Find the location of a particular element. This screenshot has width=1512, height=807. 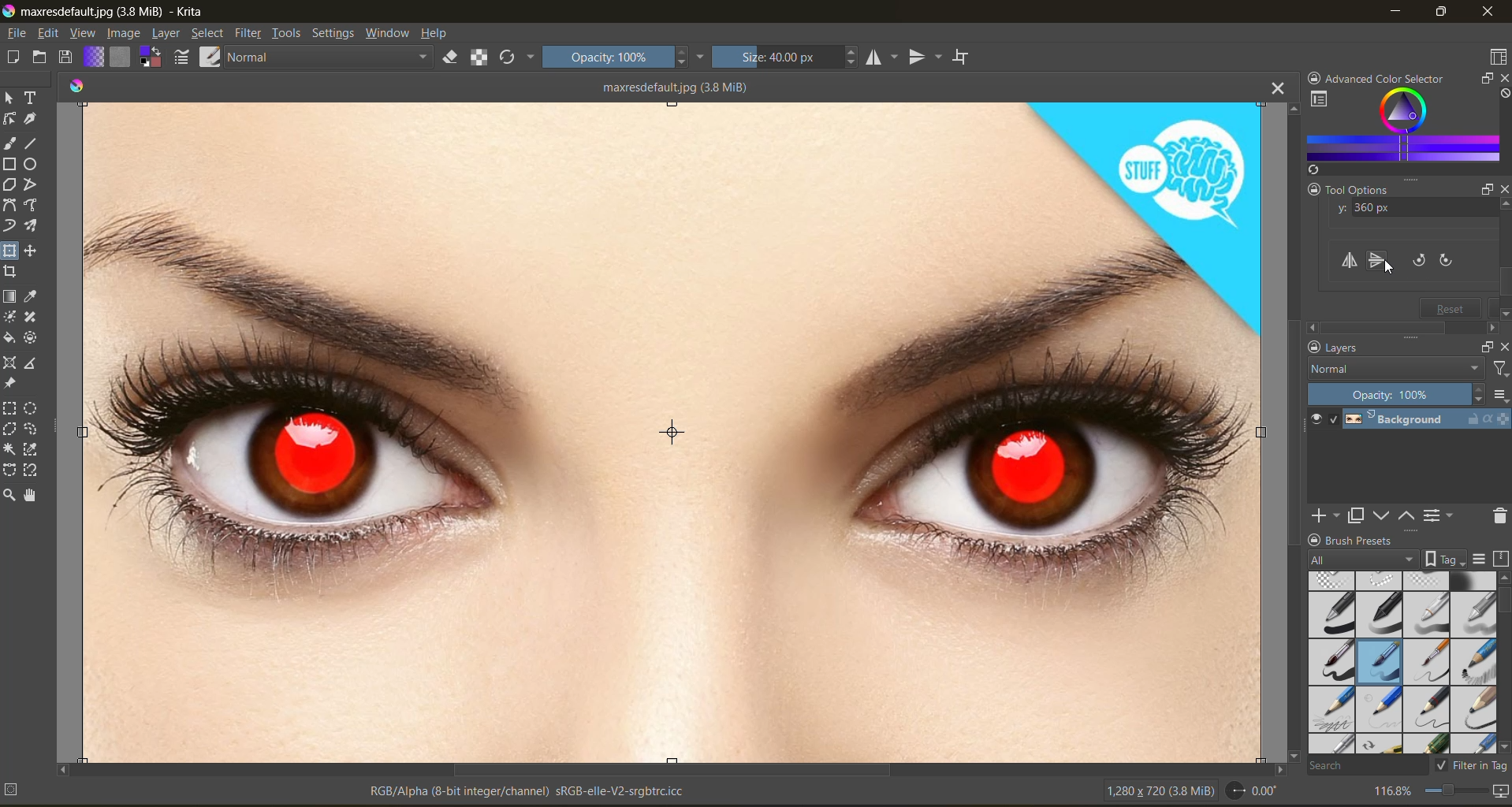

file is located at coordinates (14, 33).